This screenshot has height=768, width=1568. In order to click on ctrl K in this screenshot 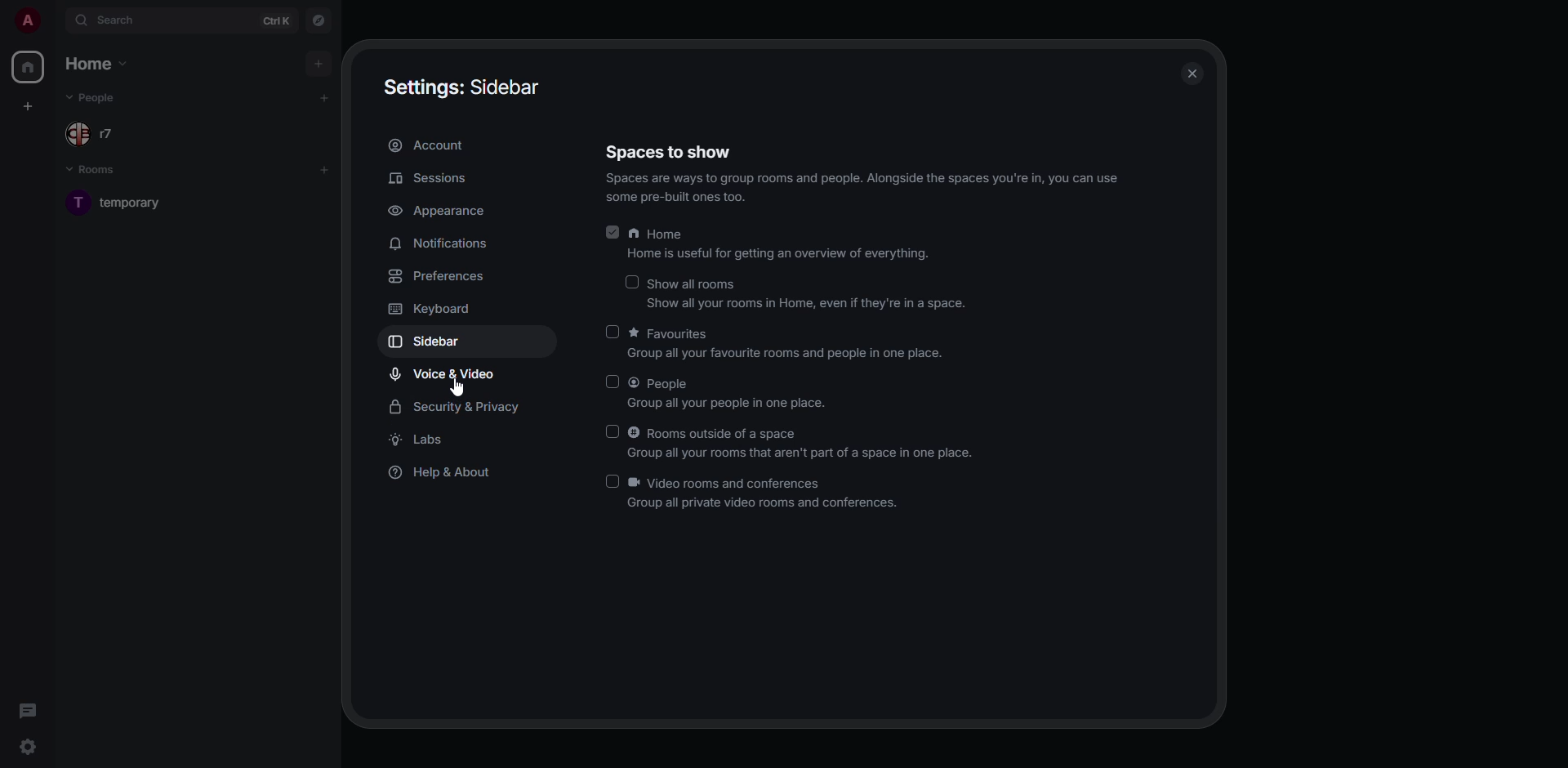, I will do `click(279, 21)`.